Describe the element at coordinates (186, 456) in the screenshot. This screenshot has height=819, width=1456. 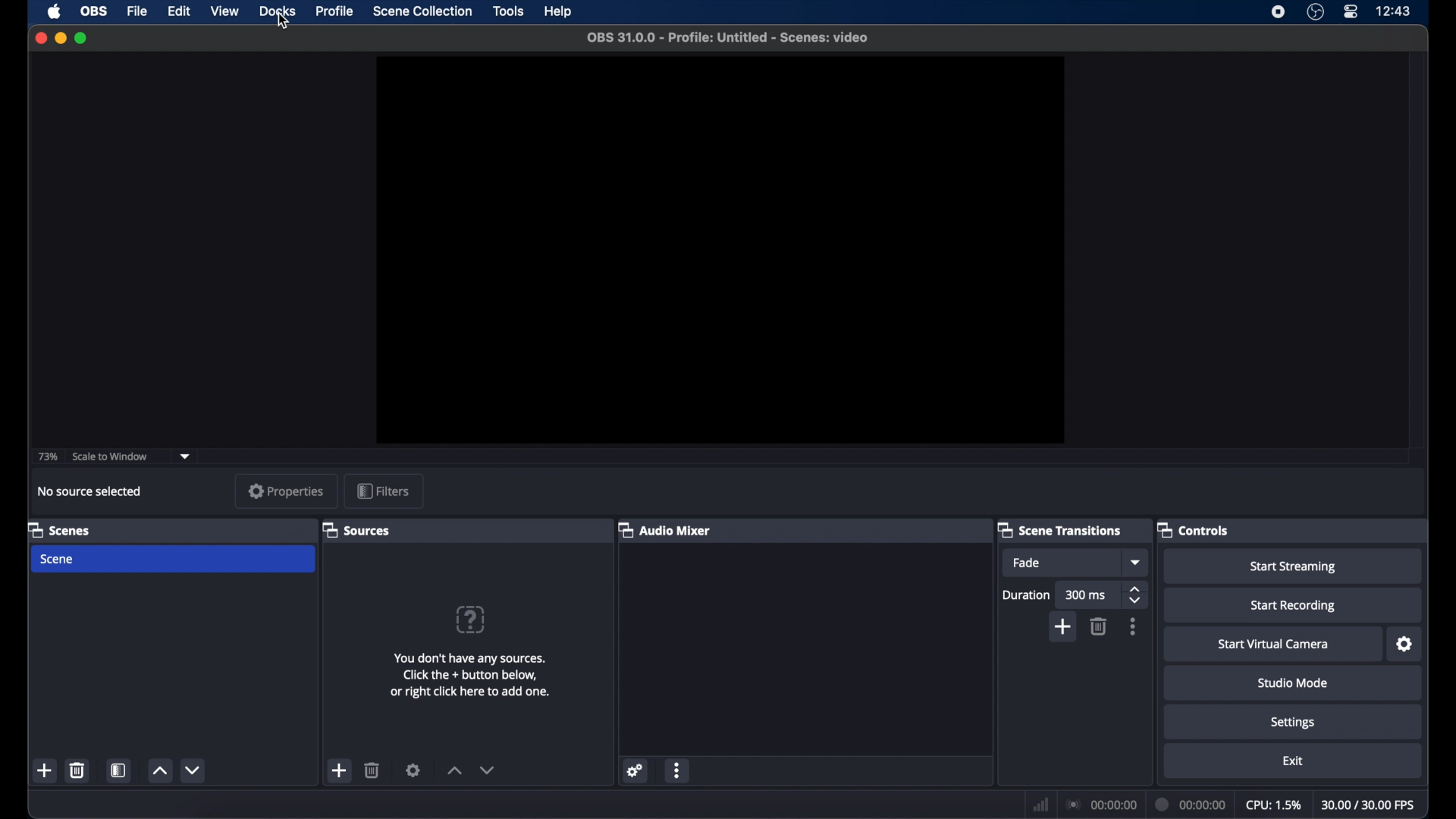
I see `dropdown` at that location.